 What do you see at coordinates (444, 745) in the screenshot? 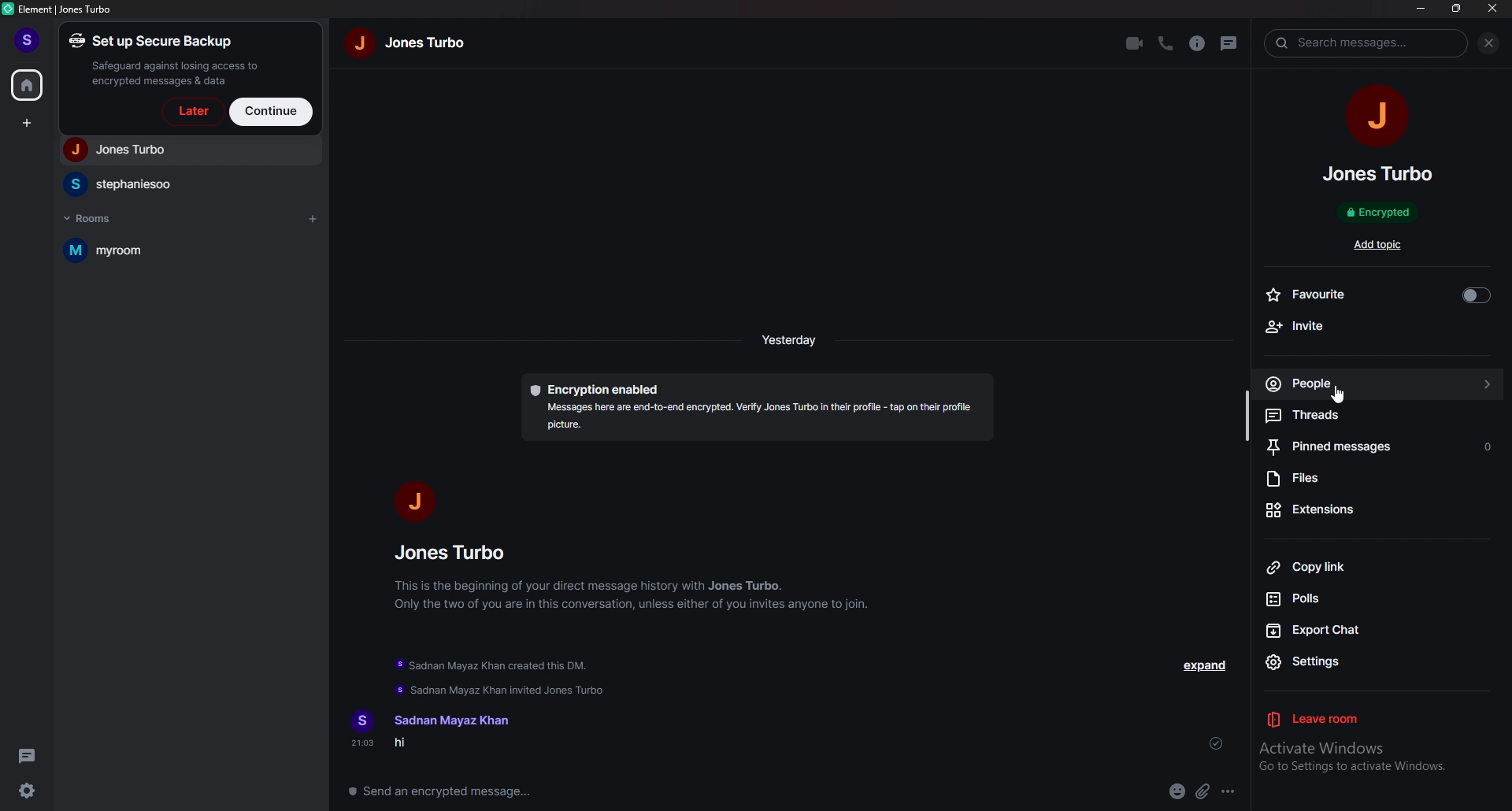
I see `message` at bounding box center [444, 745].